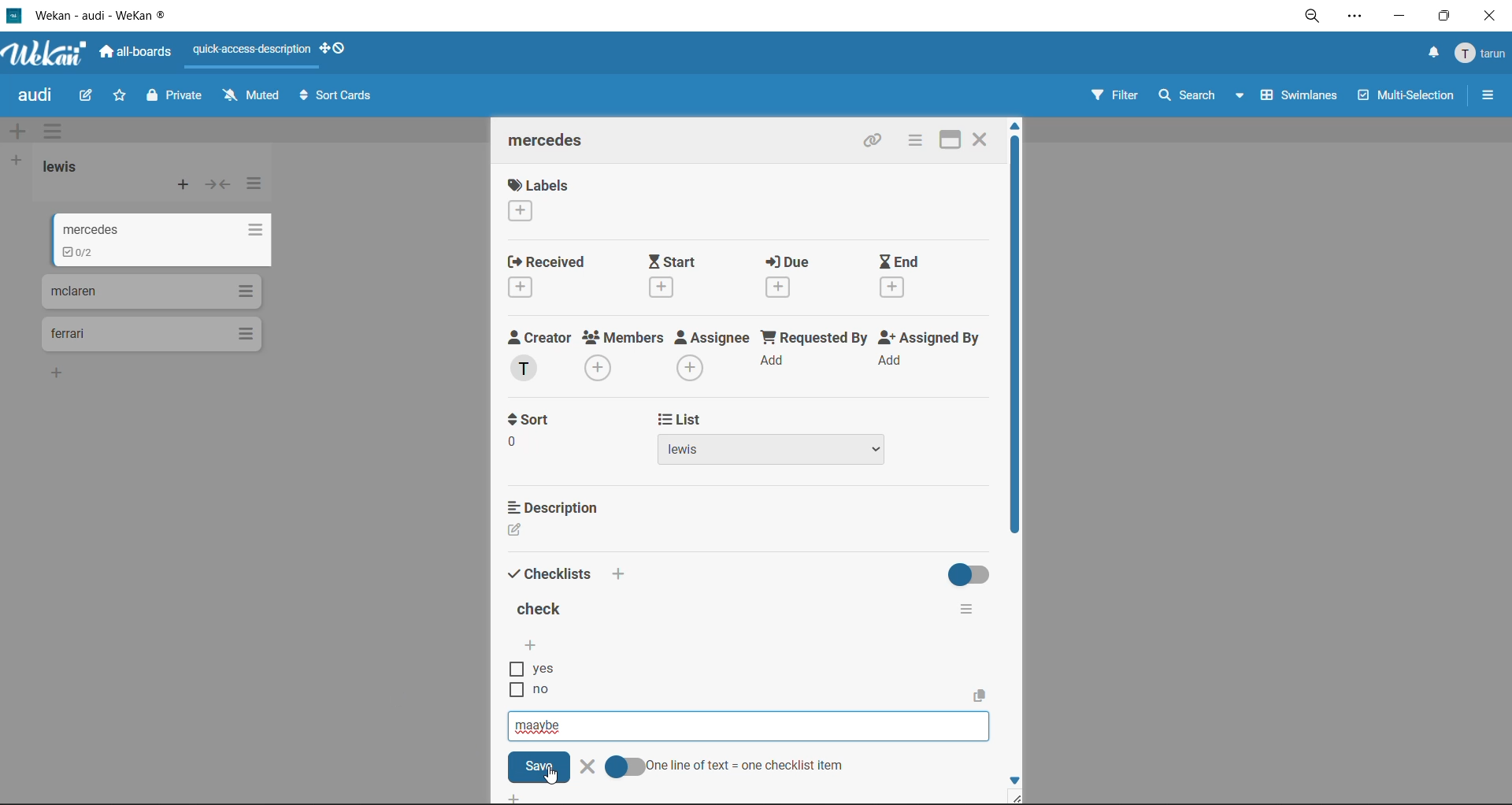  I want to click on mercedes, so click(552, 140).